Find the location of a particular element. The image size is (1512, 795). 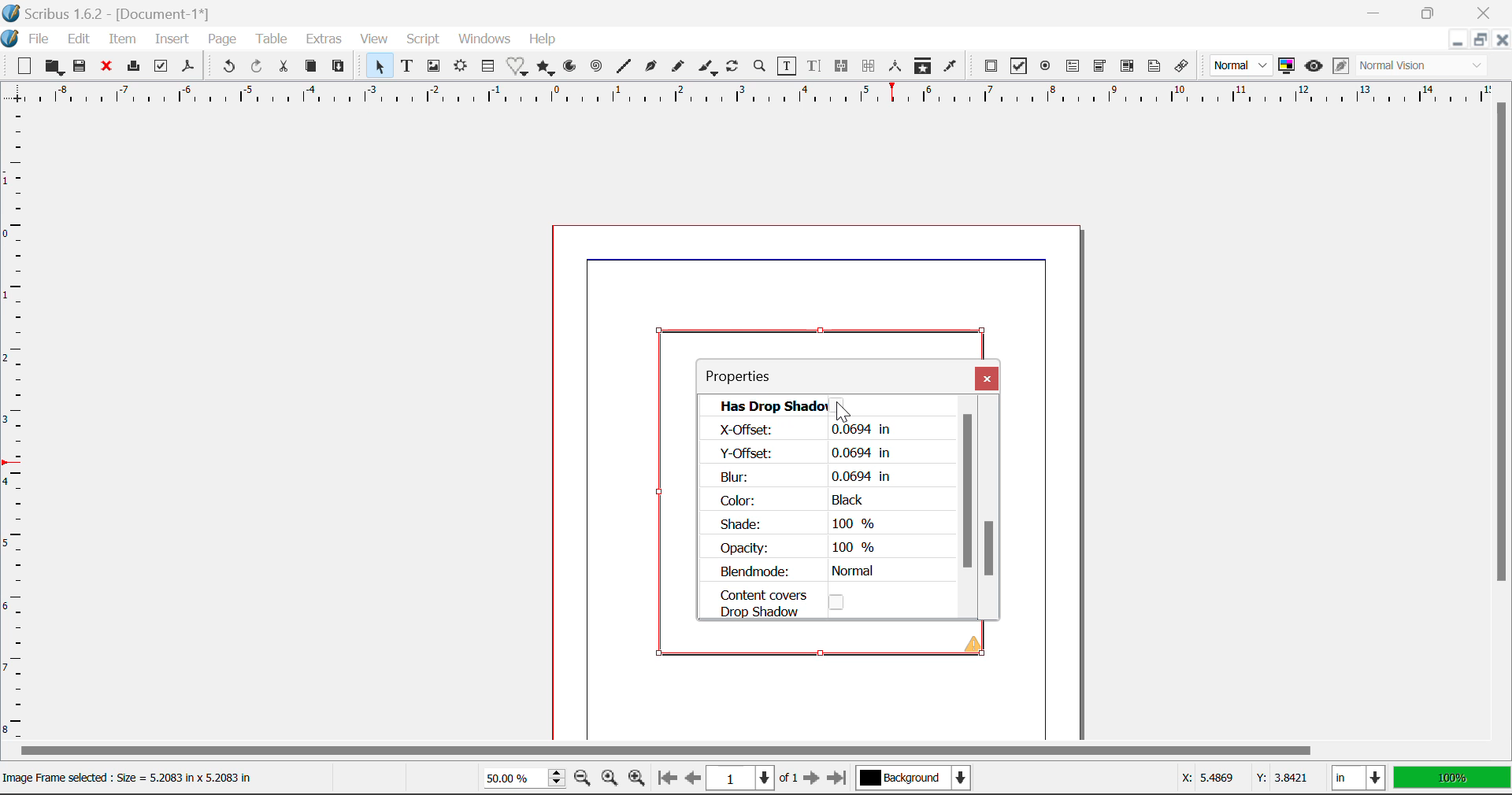

Pdf Text Field is located at coordinates (1074, 68).